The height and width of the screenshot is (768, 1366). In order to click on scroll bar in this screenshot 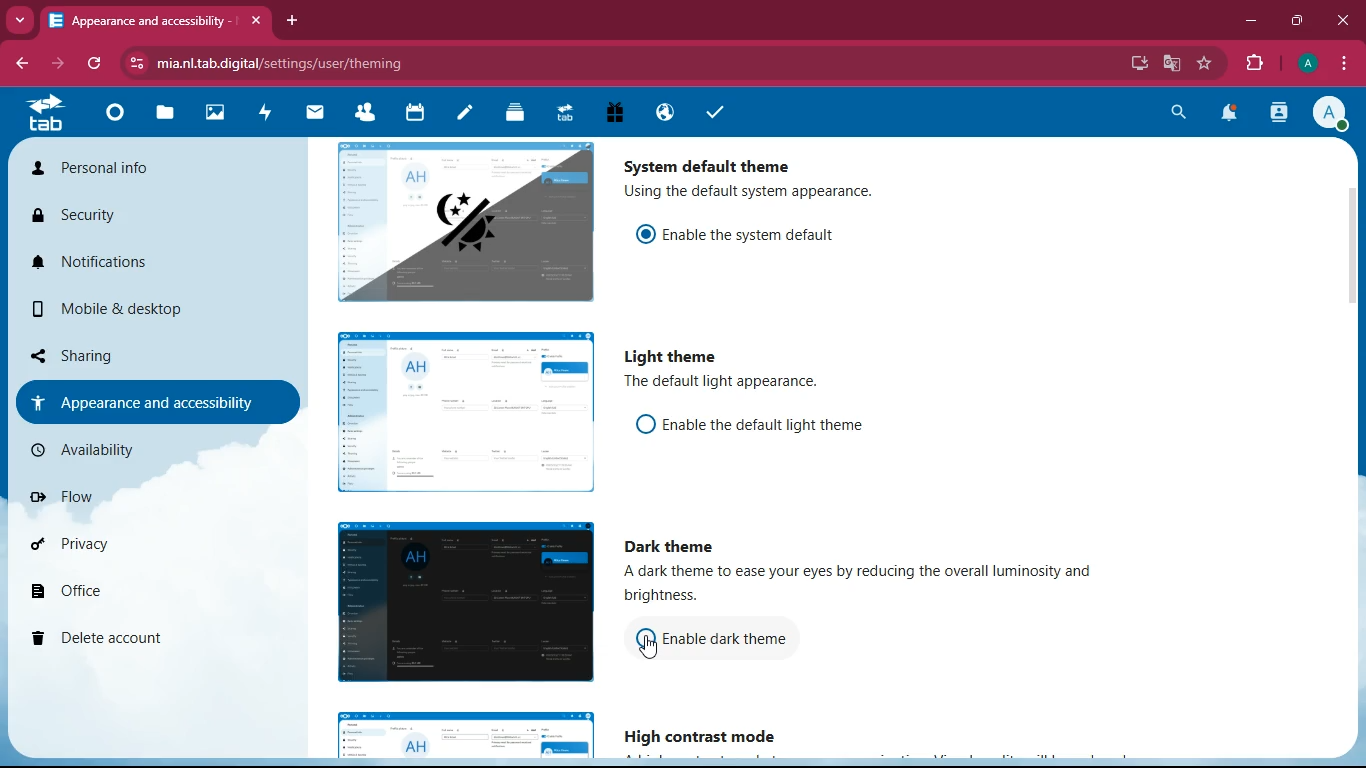, I will do `click(1354, 340)`.